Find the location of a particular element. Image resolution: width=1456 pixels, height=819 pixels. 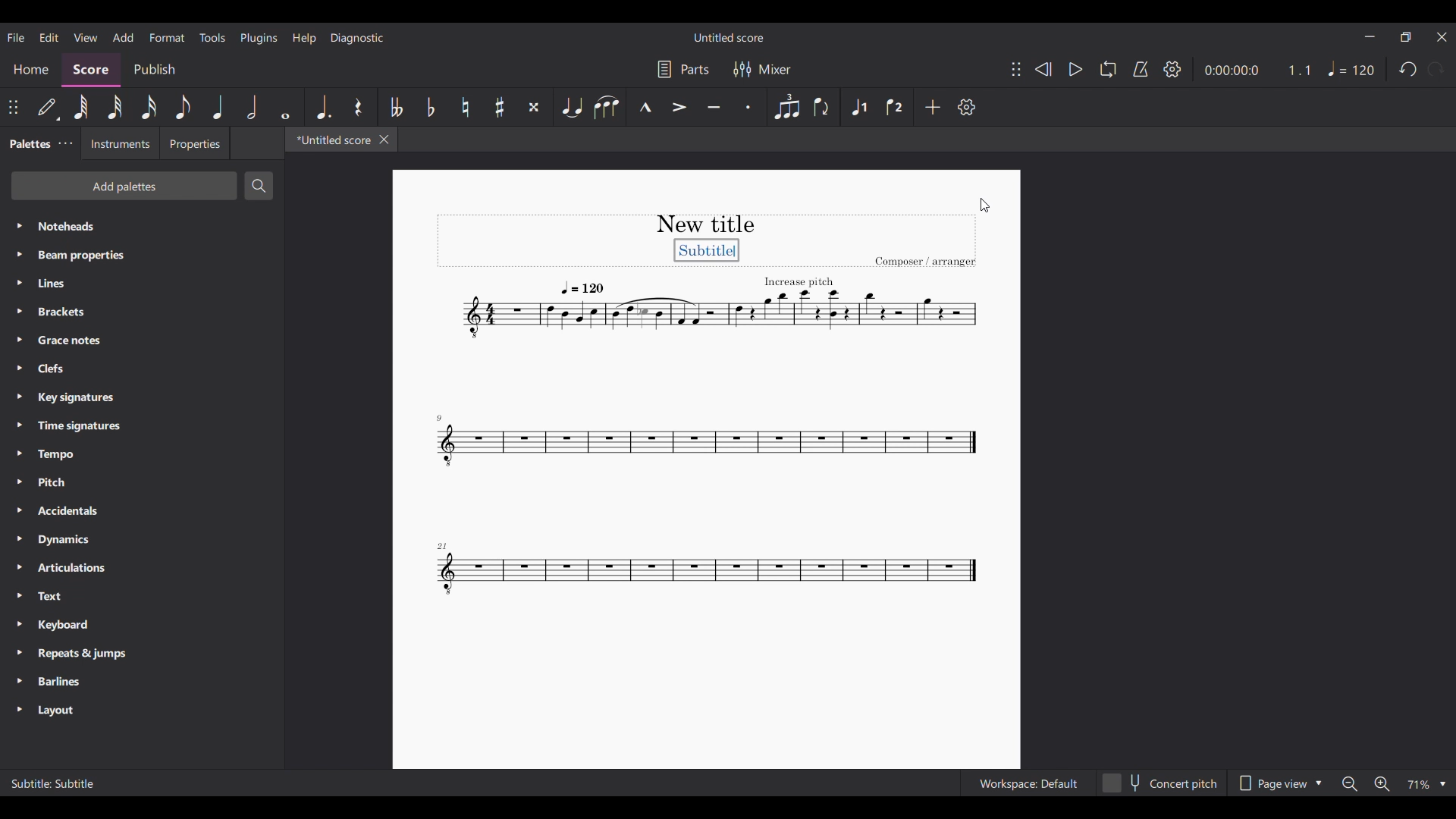

Add menu is located at coordinates (124, 38).